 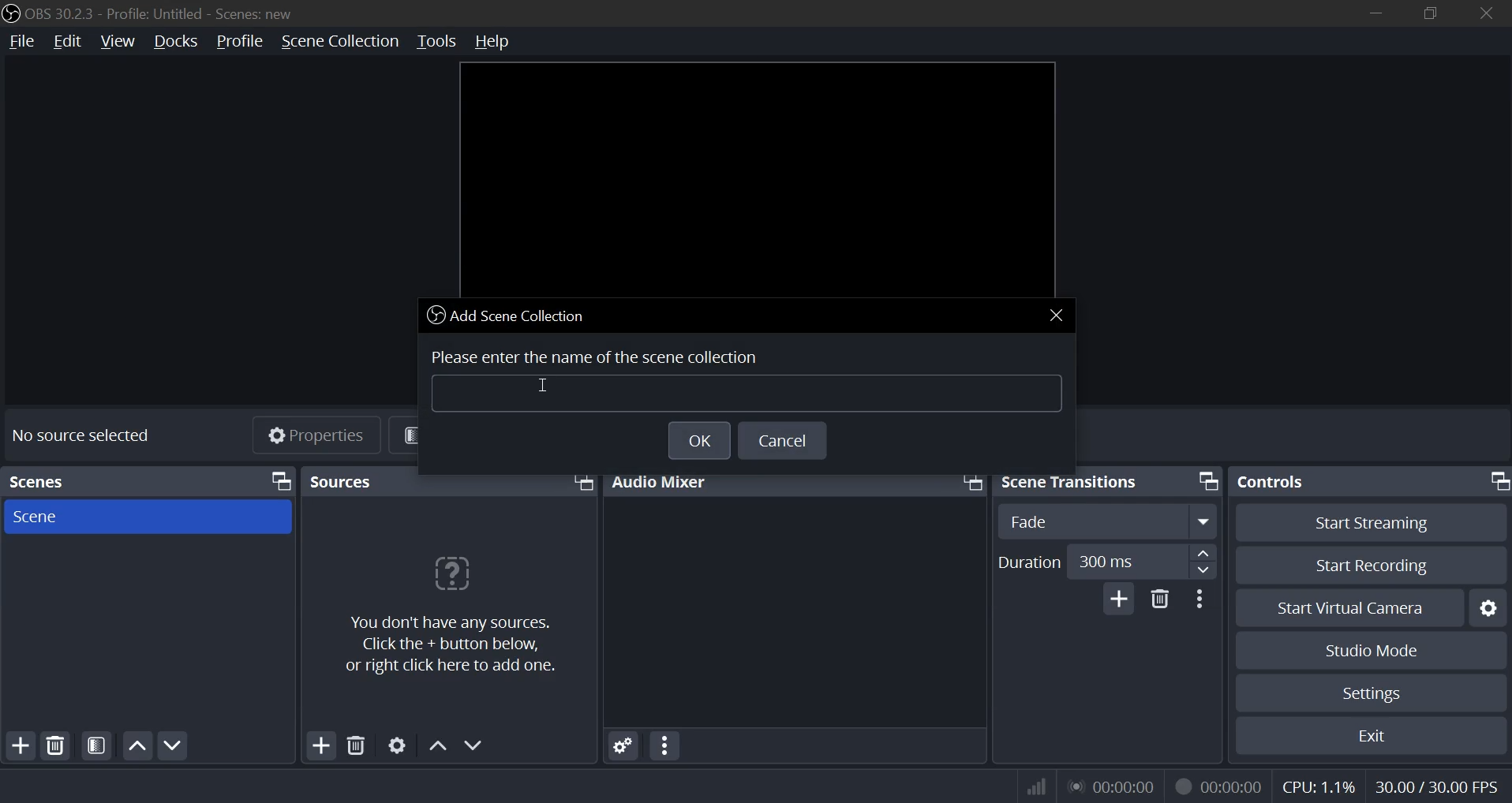 What do you see at coordinates (582, 483) in the screenshot?
I see `bring front` at bounding box center [582, 483].